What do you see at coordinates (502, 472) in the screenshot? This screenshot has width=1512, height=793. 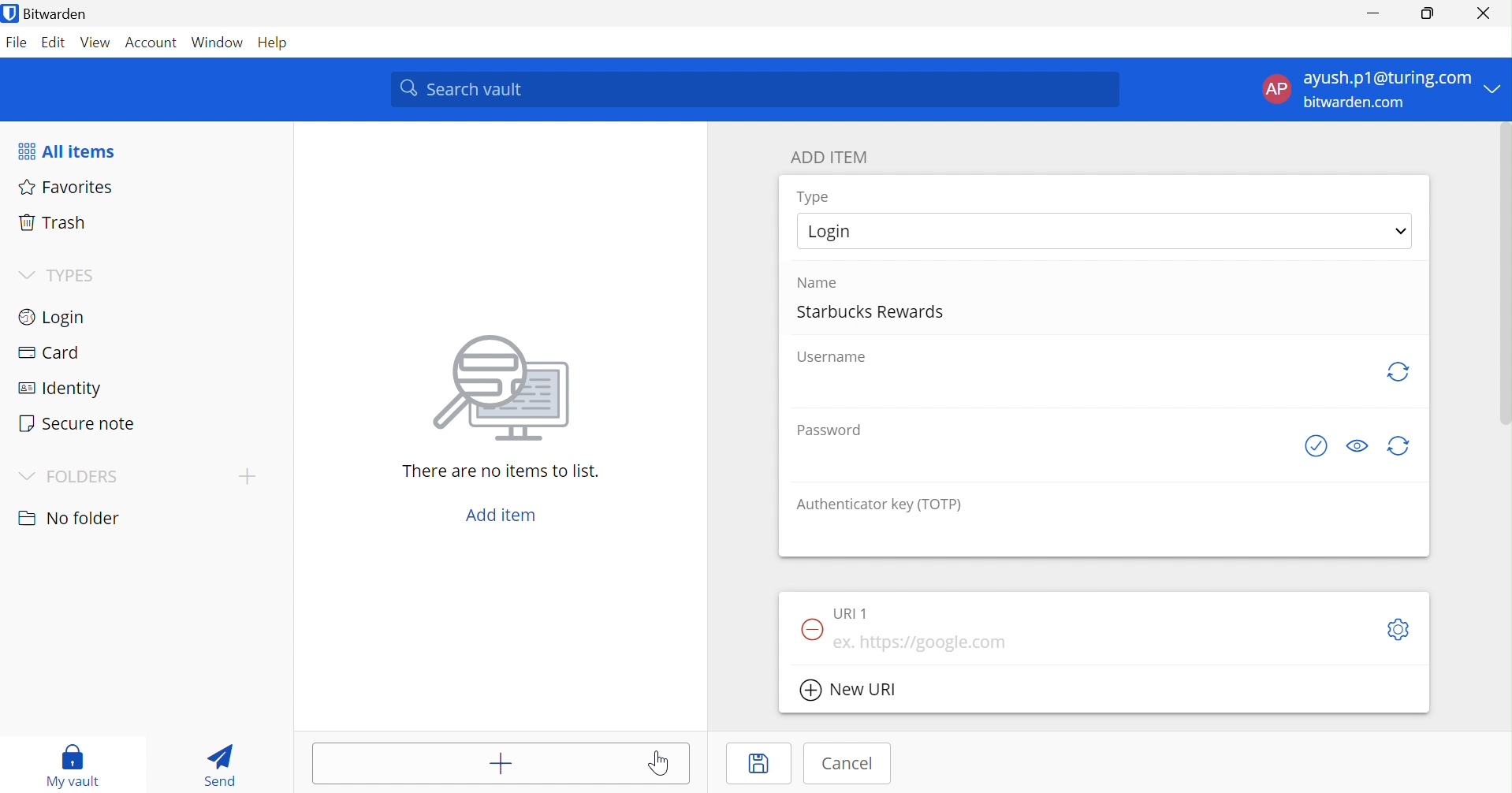 I see `There are no items to list.` at bounding box center [502, 472].